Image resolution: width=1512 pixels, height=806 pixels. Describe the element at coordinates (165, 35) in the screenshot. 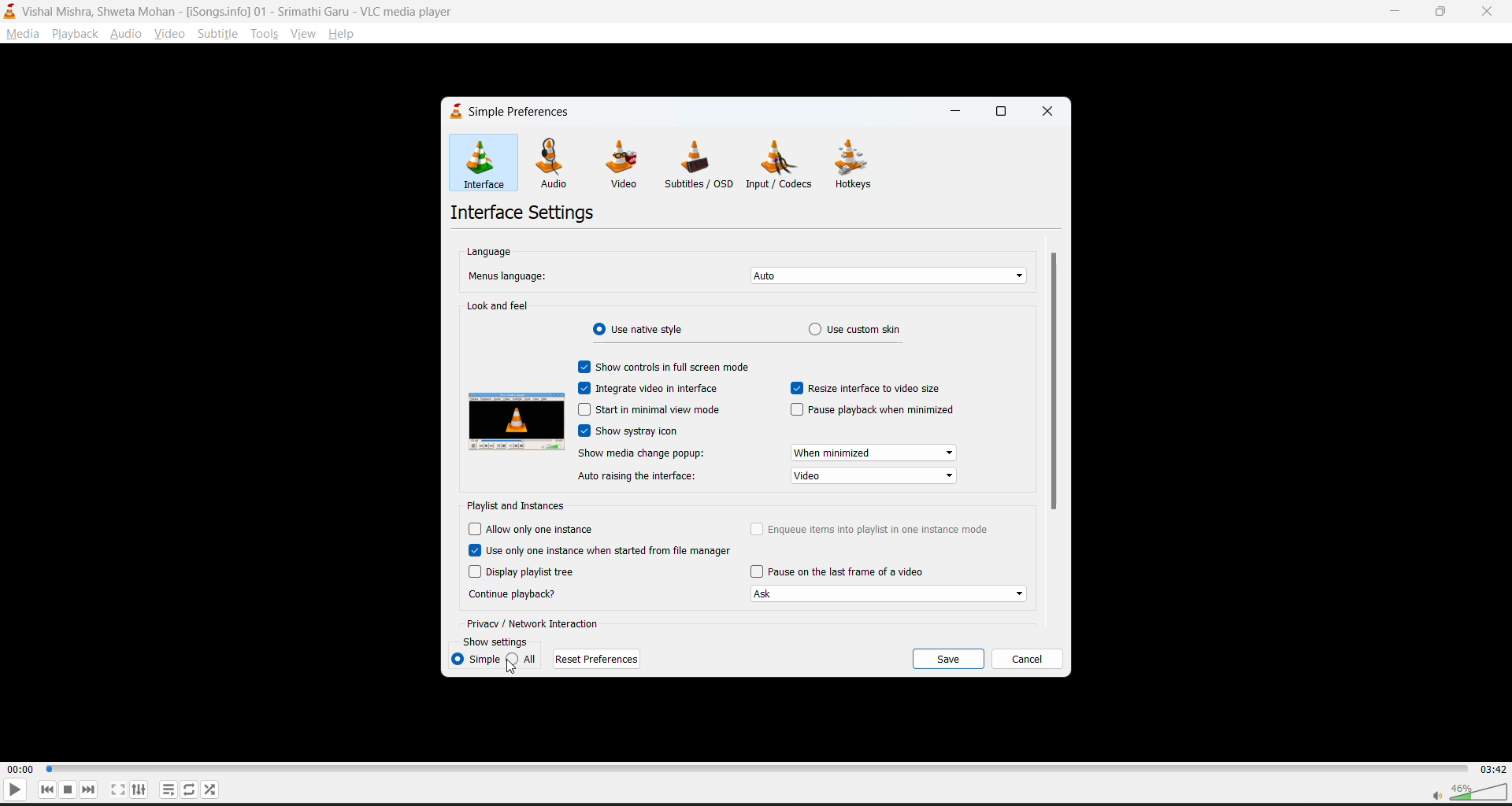

I see `video` at that location.